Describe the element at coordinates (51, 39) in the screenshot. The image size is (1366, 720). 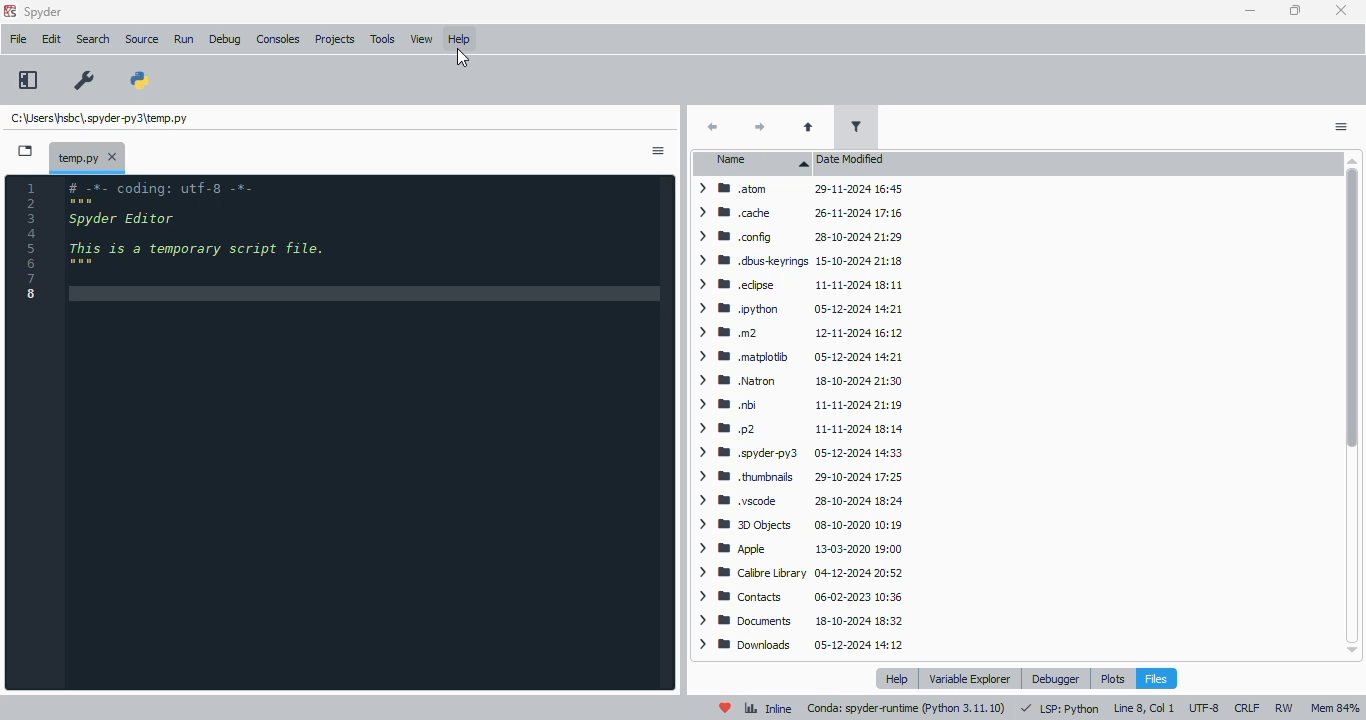
I see `edit` at that location.